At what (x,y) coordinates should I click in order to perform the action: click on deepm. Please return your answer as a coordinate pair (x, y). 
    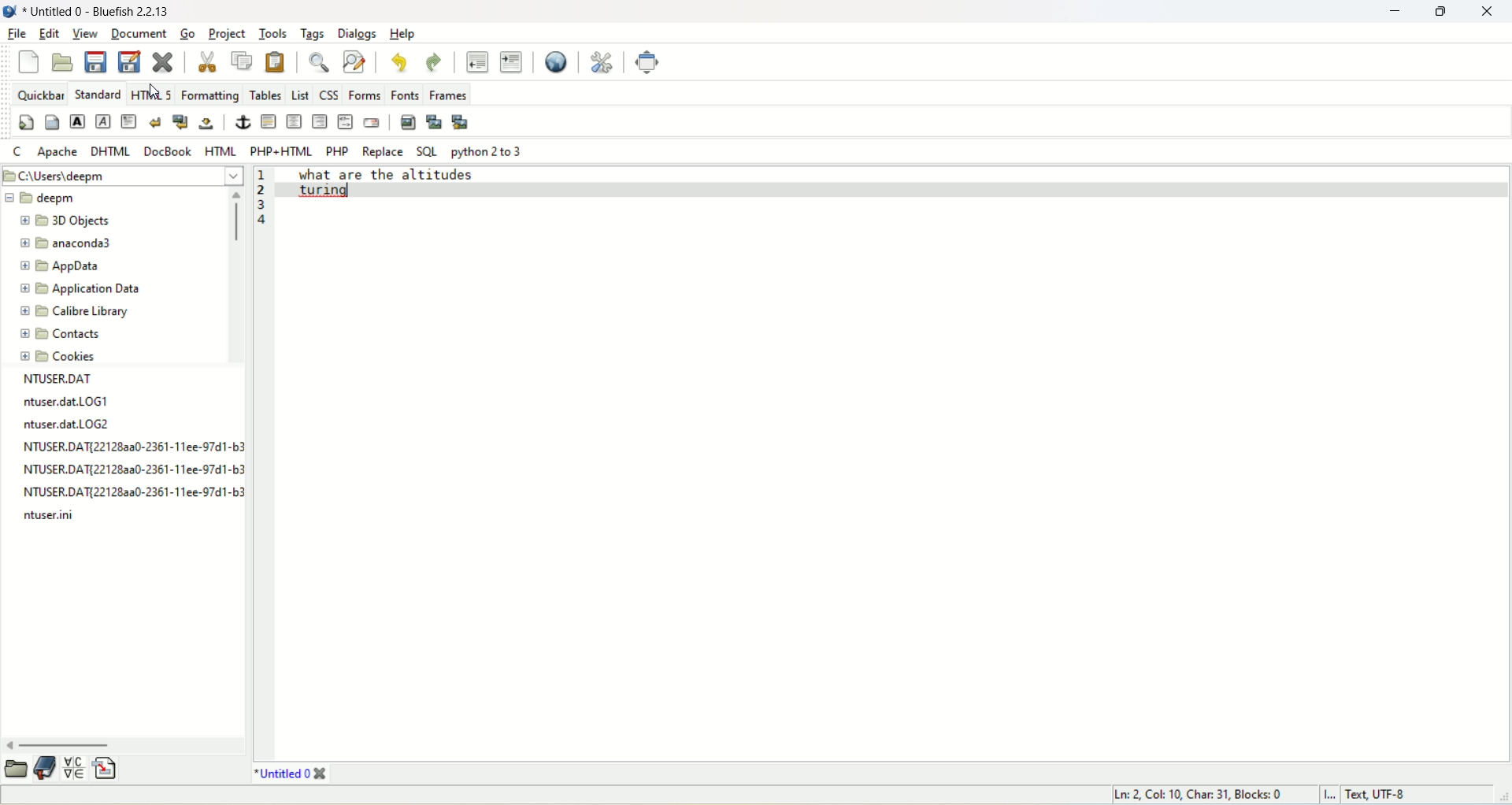
    Looking at the image, I should click on (89, 196).